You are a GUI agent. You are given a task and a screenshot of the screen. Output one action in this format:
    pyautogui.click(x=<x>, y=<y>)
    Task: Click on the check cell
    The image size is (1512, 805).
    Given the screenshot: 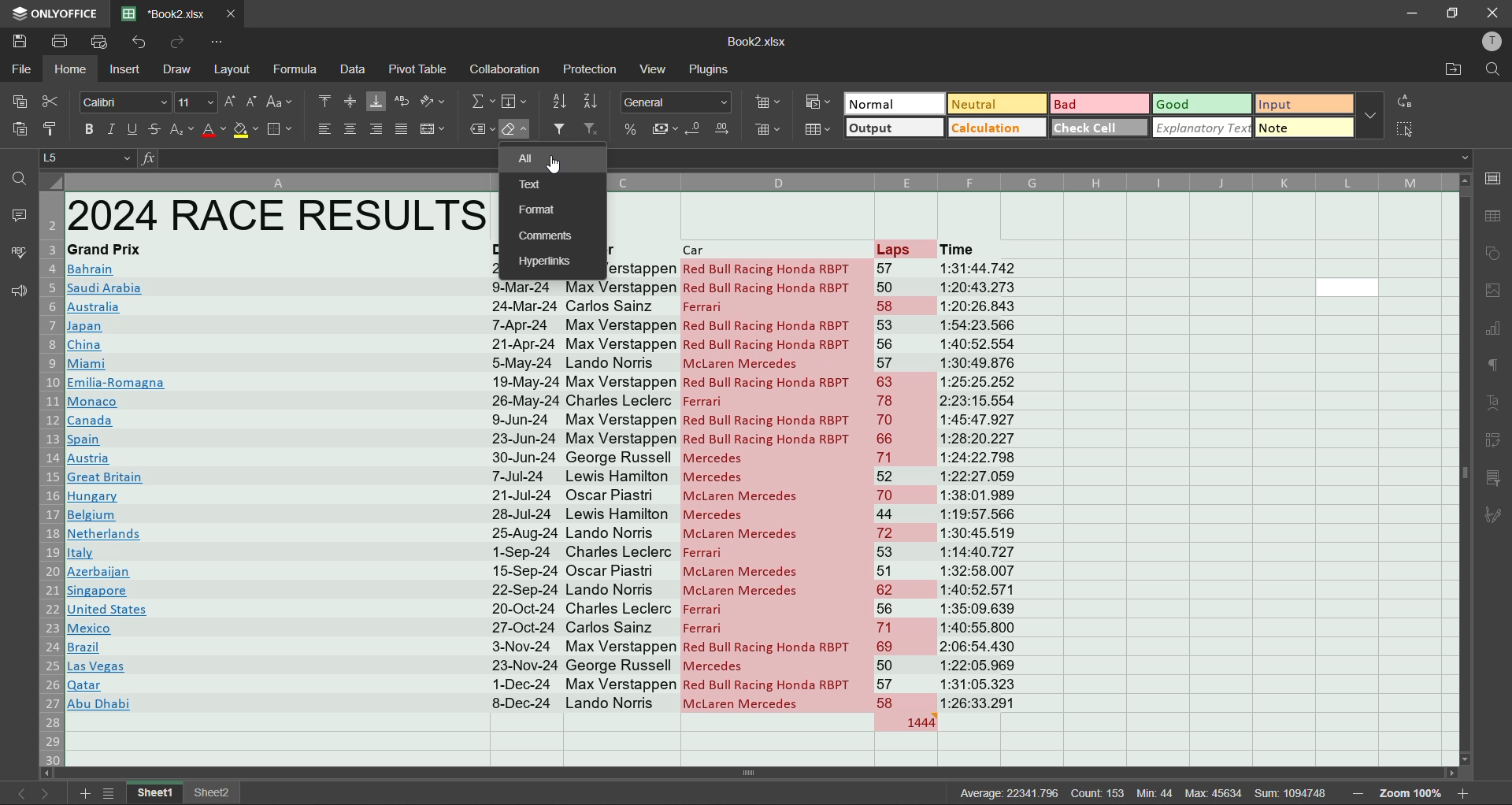 What is the action you would take?
    pyautogui.click(x=1093, y=130)
    